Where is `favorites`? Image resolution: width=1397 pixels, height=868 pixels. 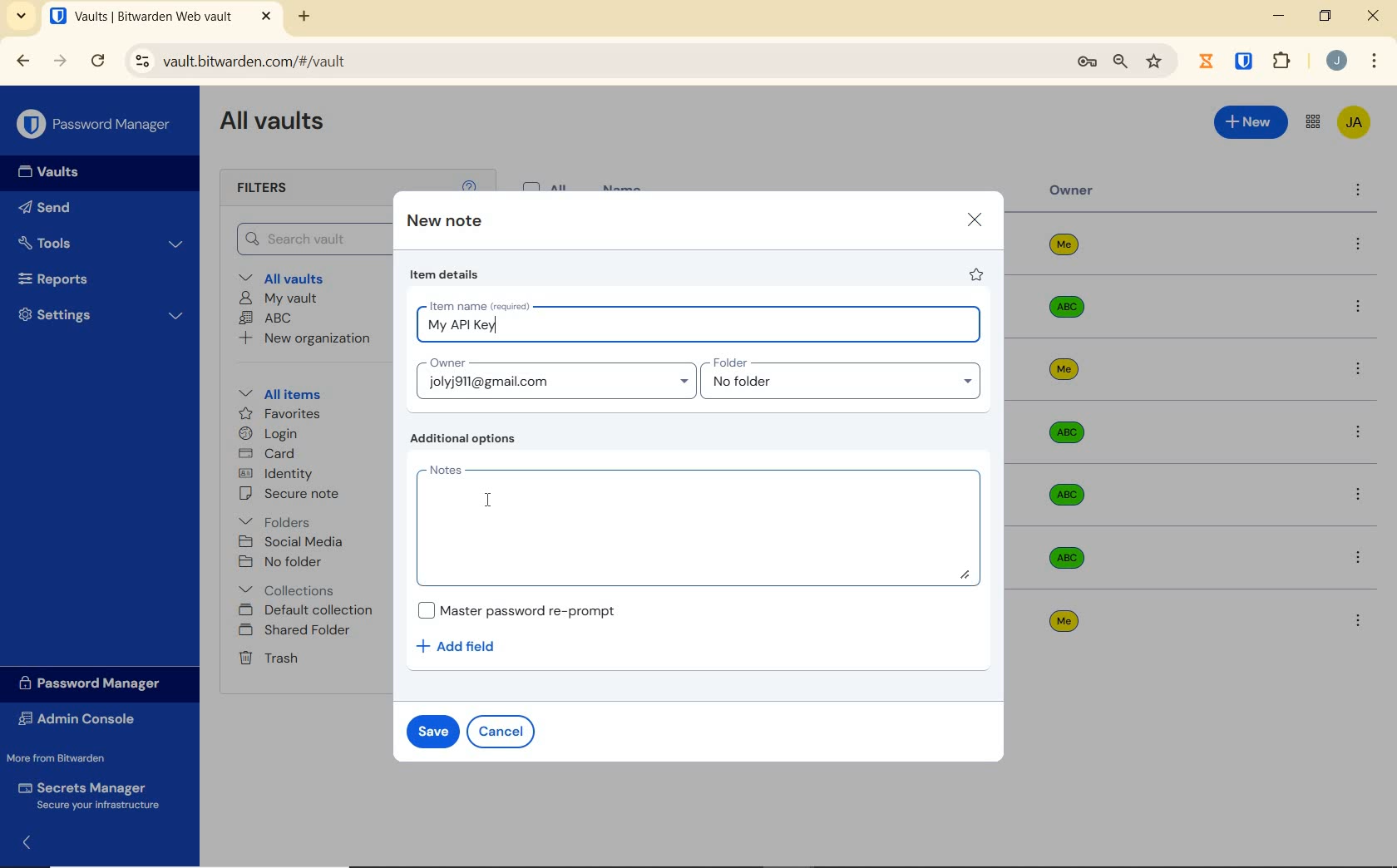
favorites is located at coordinates (277, 413).